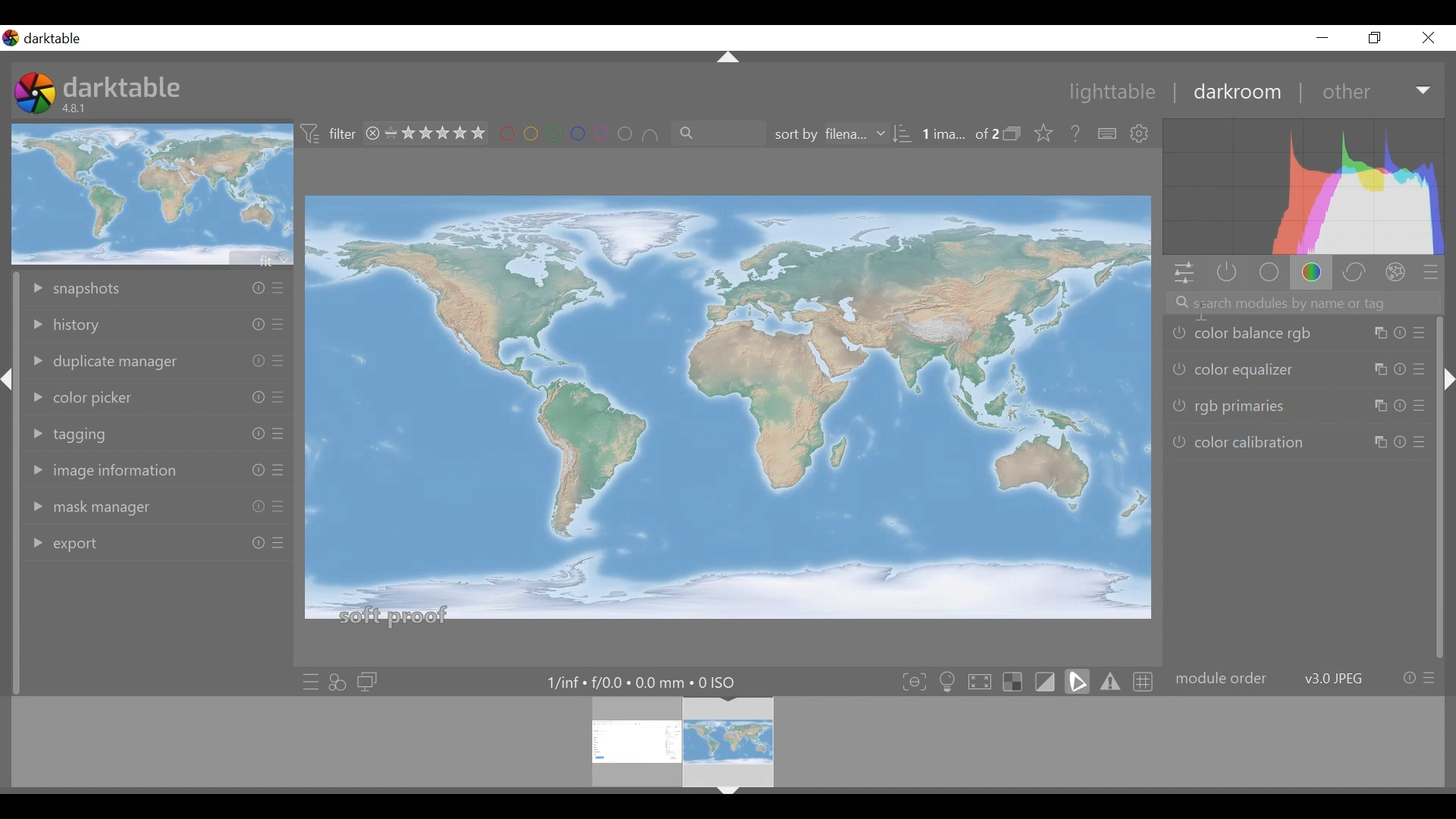 Image resolution: width=1456 pixels, height=819 pixels. I want to click on , so click(1387, 334).